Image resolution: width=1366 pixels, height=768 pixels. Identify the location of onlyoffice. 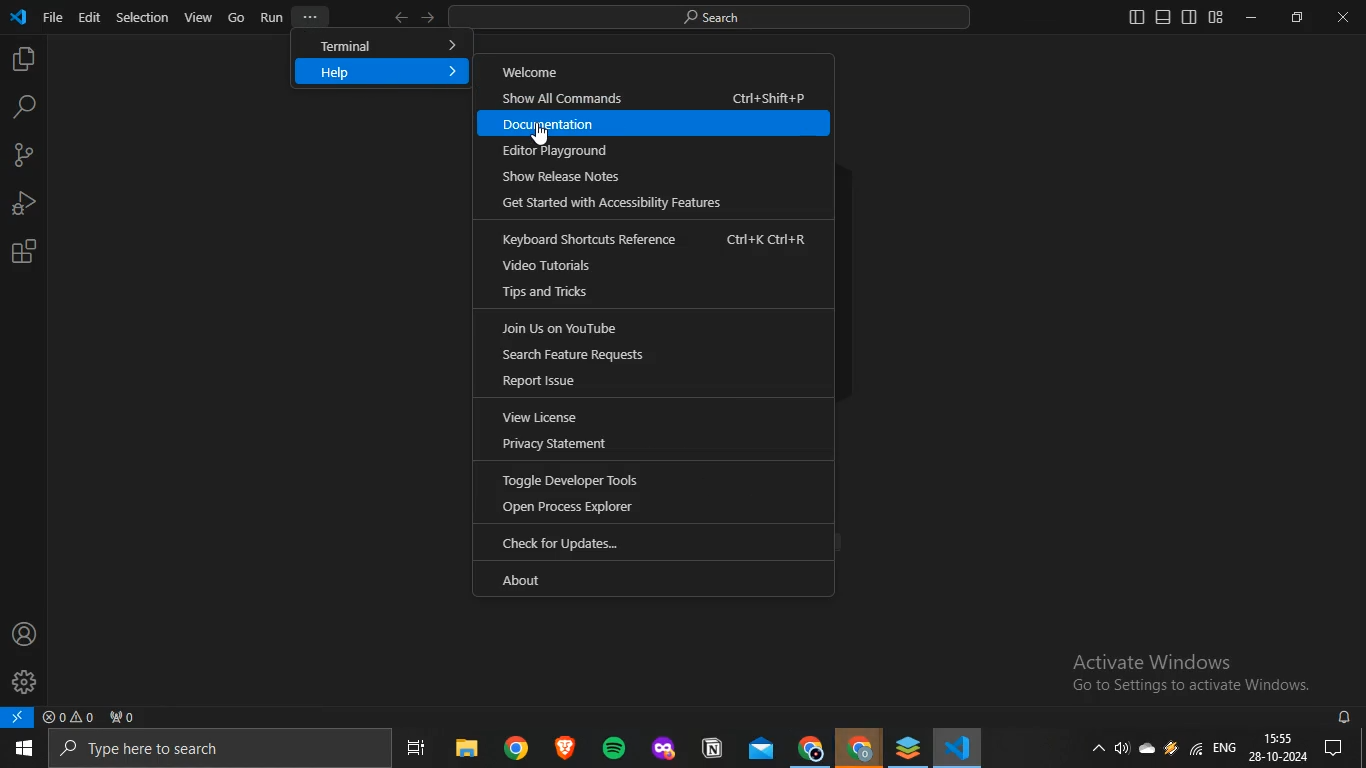
(906, 747).